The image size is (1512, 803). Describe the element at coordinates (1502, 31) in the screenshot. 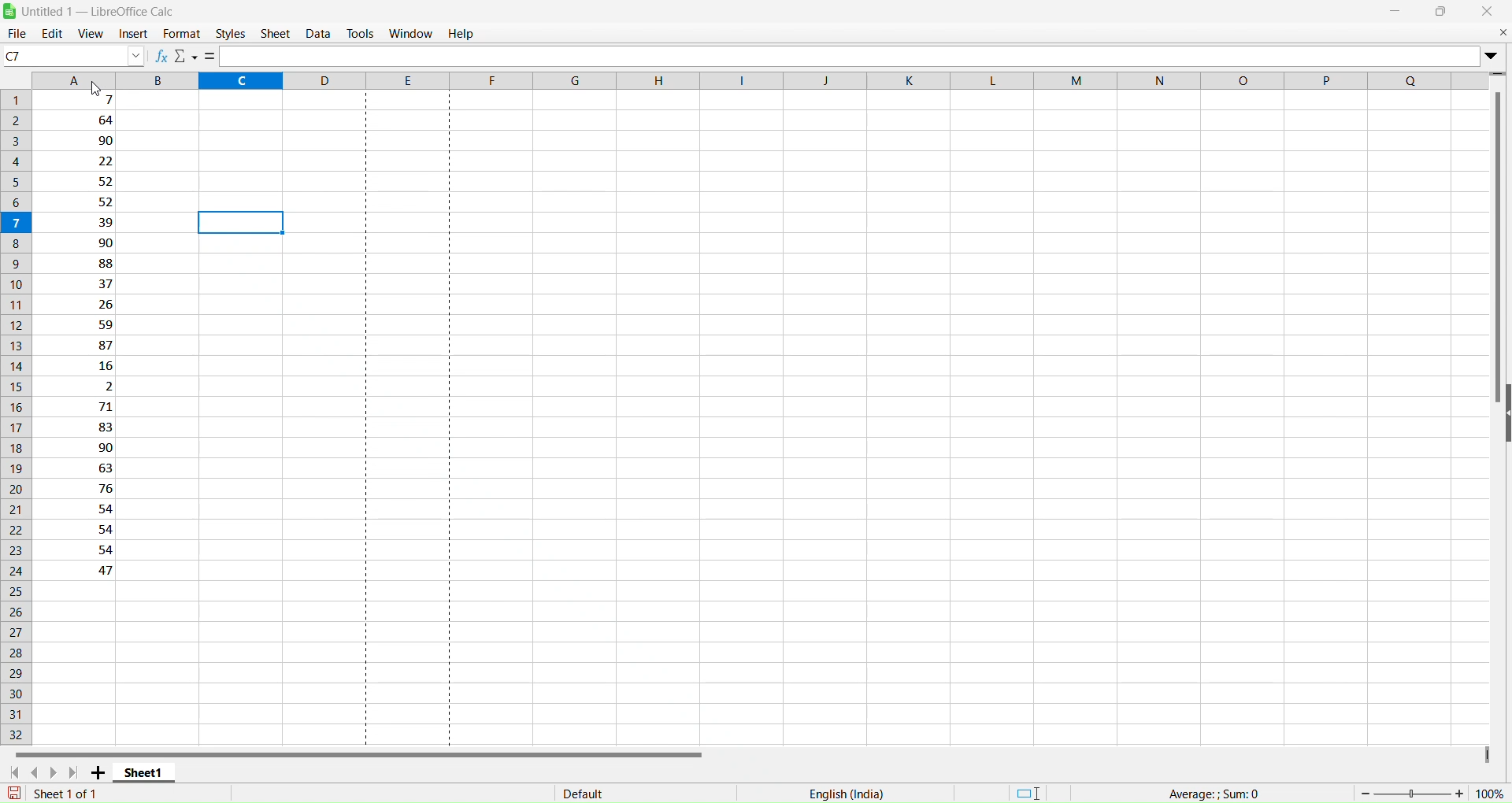

I see `Close Document` at that location.